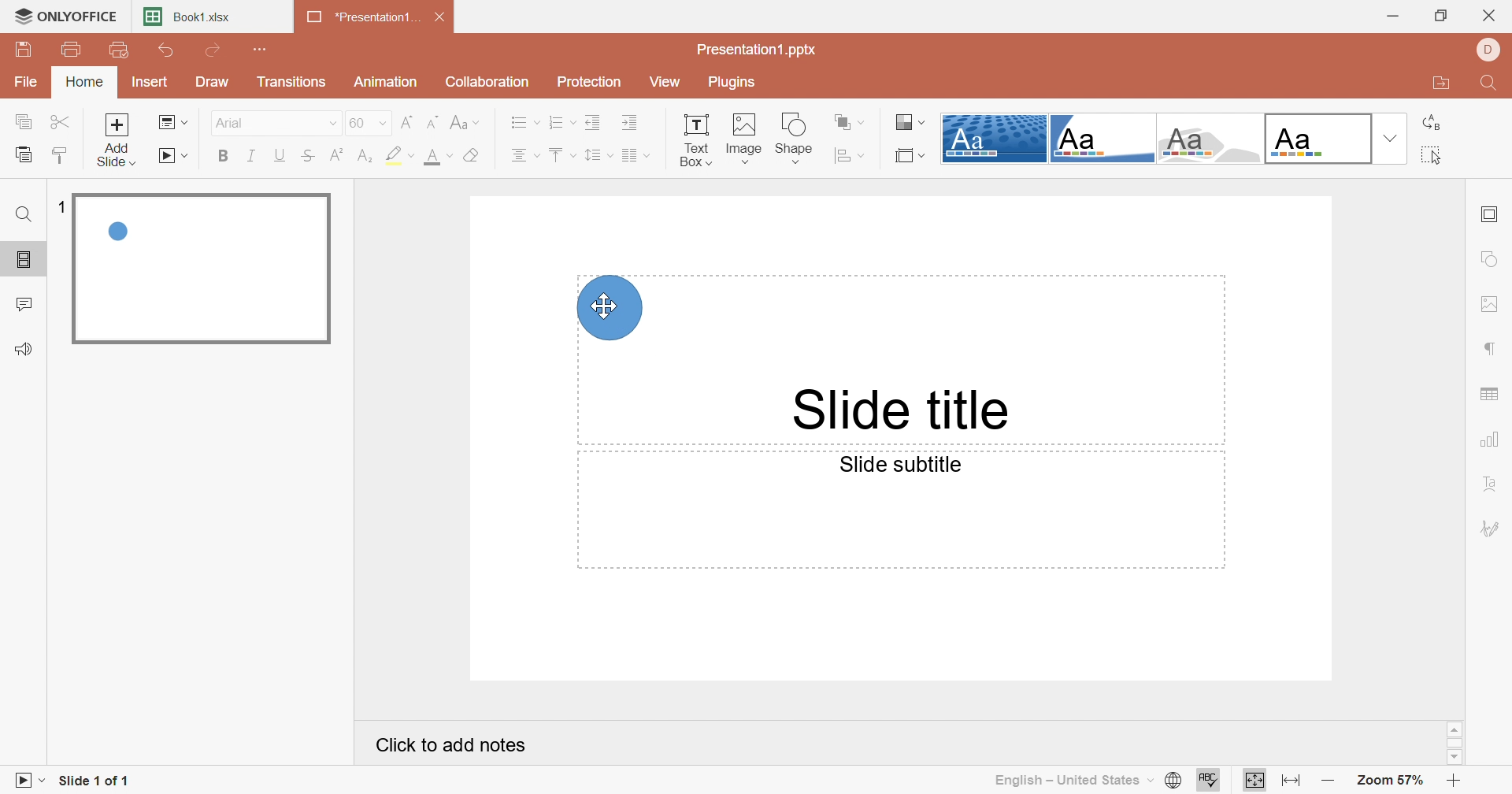 This screenshot has height=794, width=1512. Describe the element at coordinates (61, 121) in the screenshot. I see `Cut` at that location.